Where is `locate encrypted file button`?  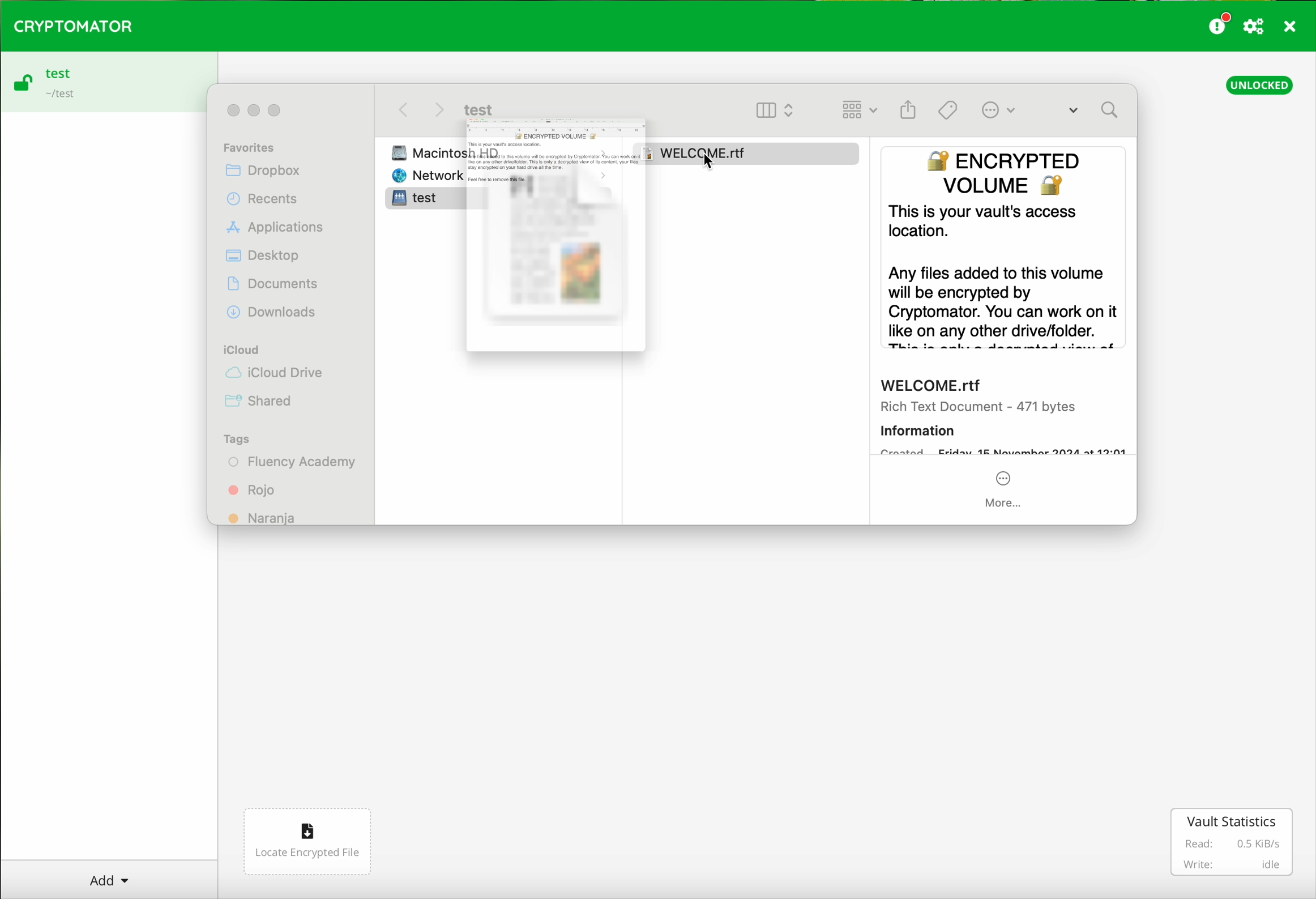
locate encrypted file button is located at coordinates (306, 842).